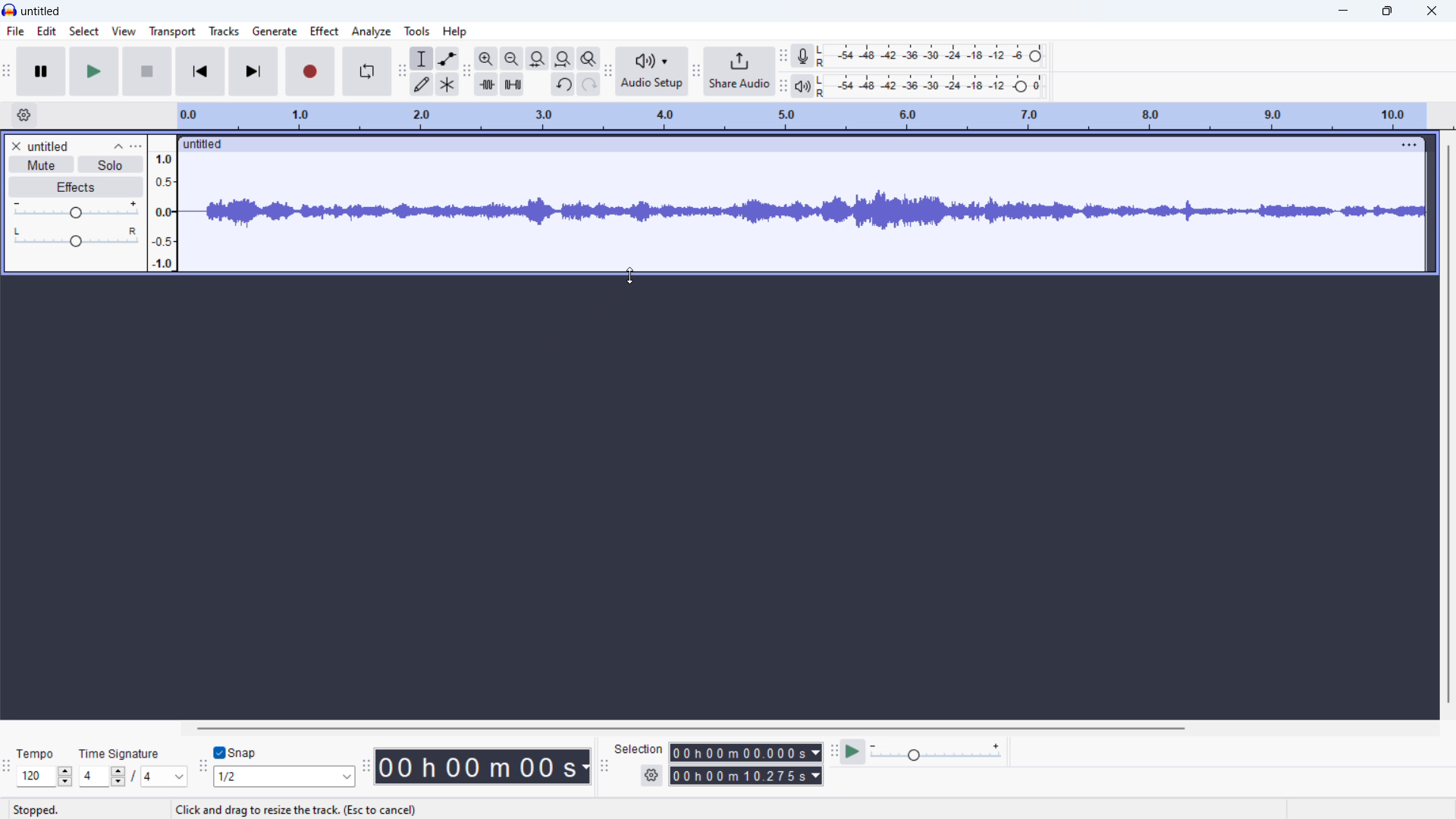 The width and height of the screenshot is (1456, 819). What do you see at coordinates (202, 769) in the screenshot?
I see `snapping toolbar` at bounding box center [202, 769].